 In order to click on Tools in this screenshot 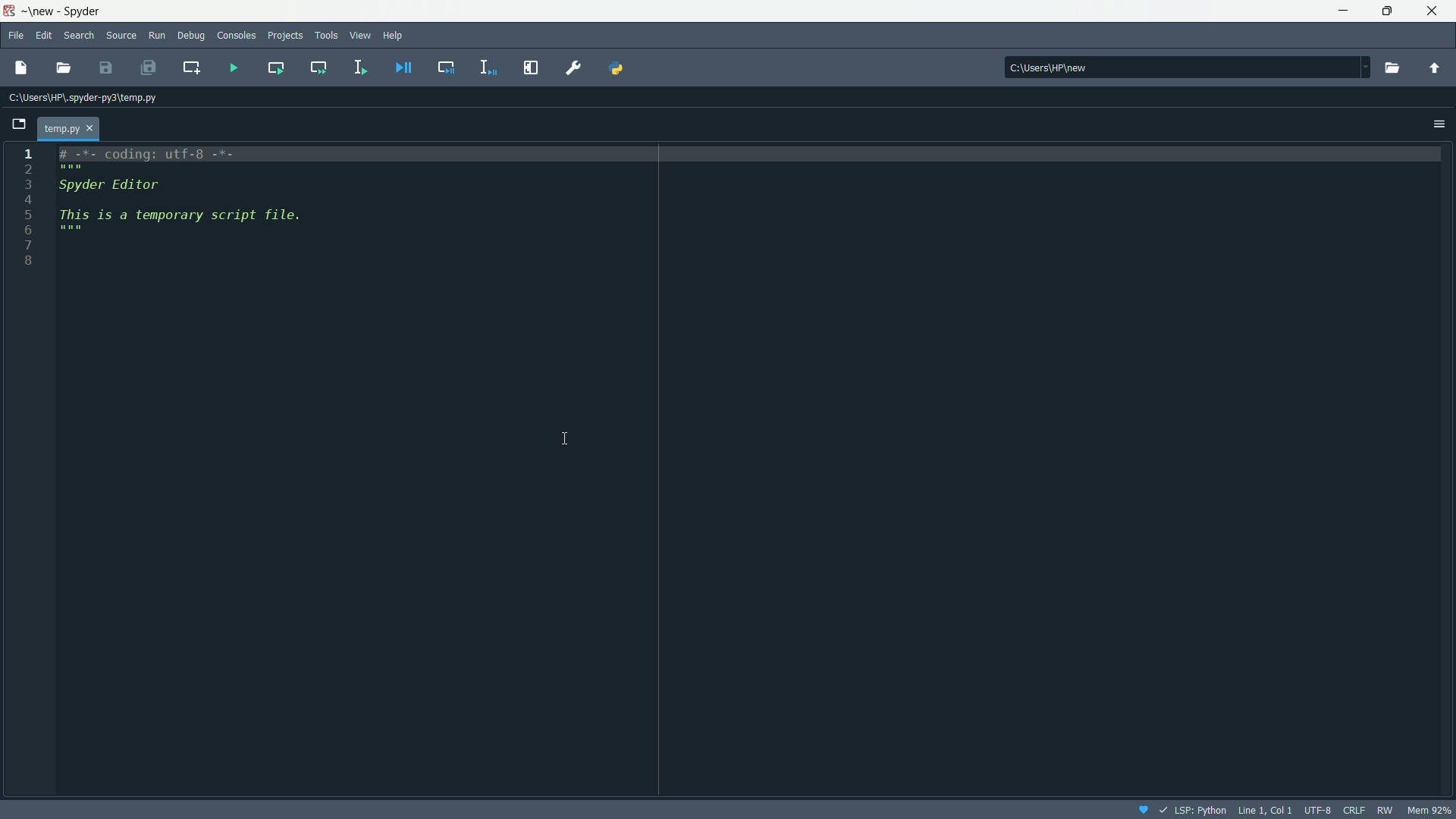, I will do `click(325, 35)`.